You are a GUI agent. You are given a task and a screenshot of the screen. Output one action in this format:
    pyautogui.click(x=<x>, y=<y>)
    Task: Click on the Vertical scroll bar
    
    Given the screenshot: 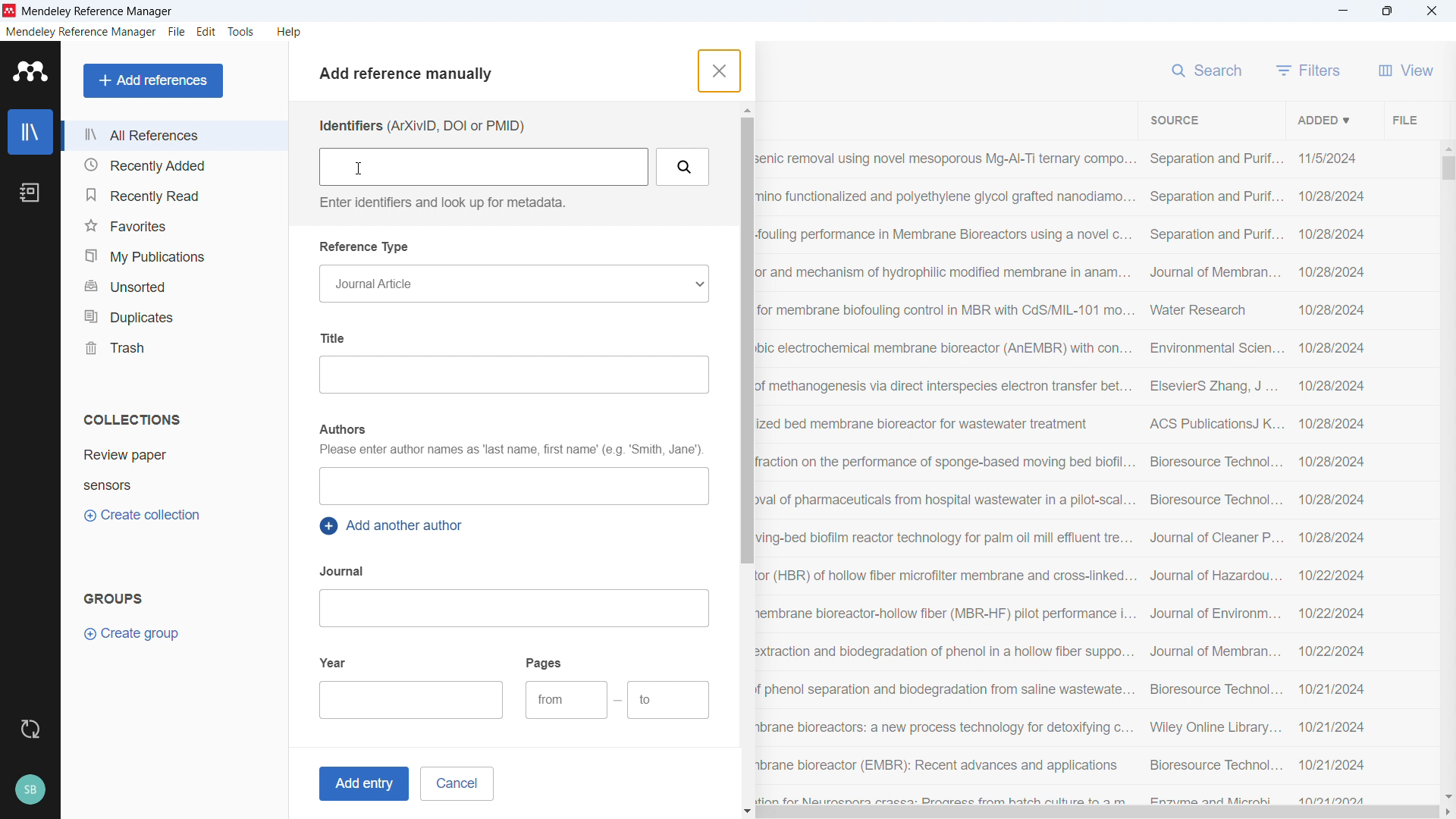 What is the action you would take?
    pyautogui.click(x=745, y=340)
    